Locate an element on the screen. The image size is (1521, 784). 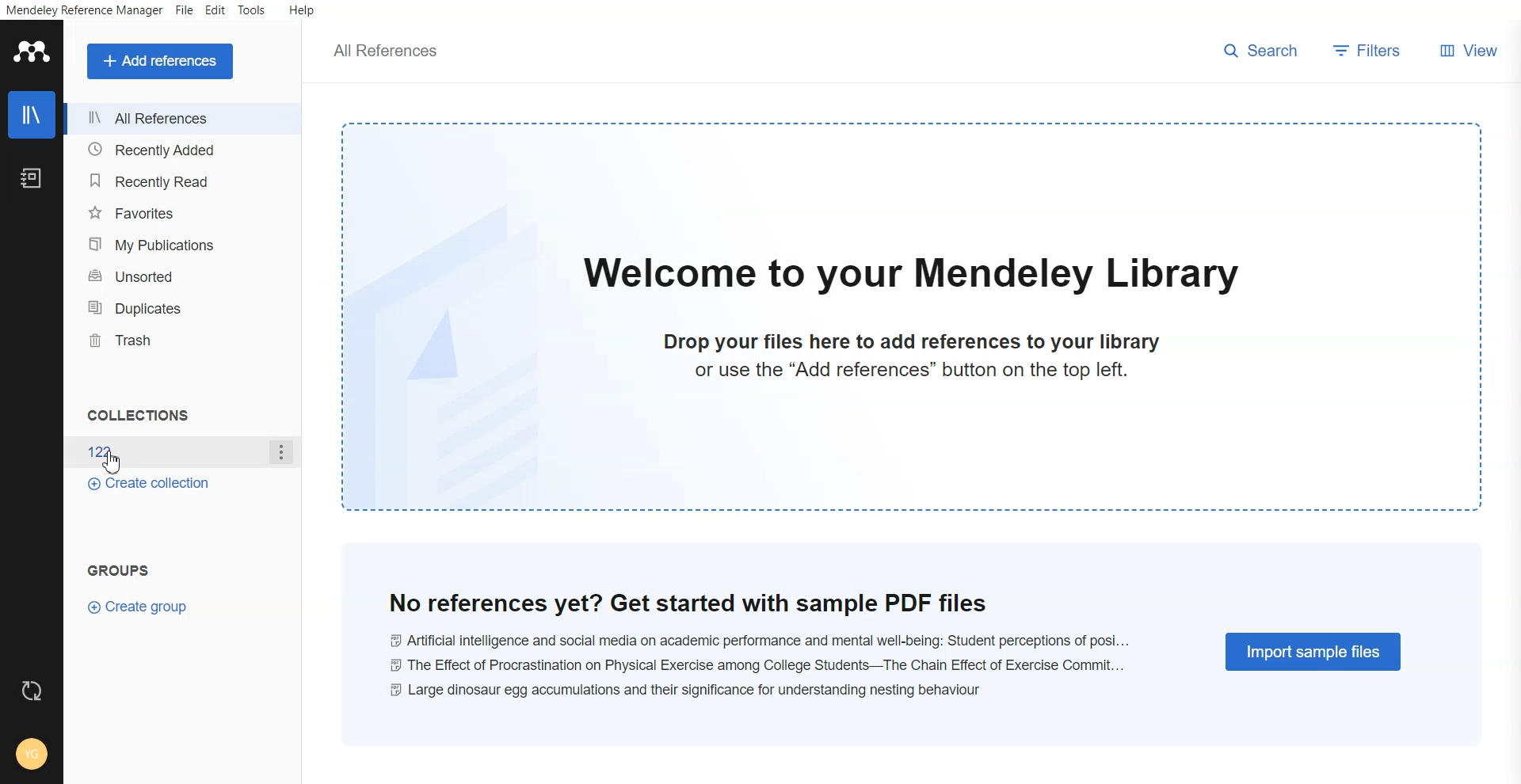
Ai and social media on academic performance and mental well-being: student perceptions of posi... is located at coordinates (760, 637).